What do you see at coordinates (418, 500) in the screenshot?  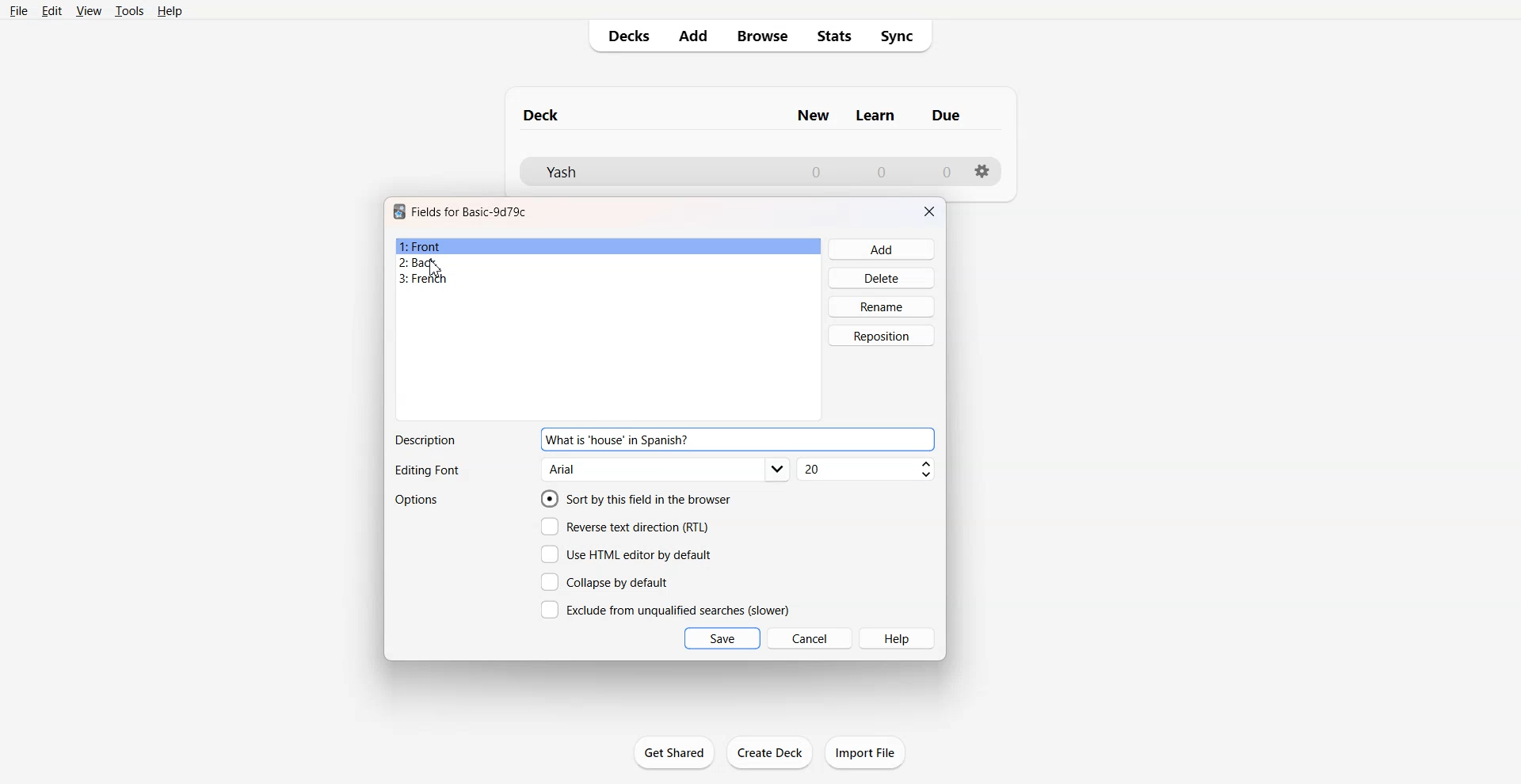 I see `Options` at bounding box center [418, 500].